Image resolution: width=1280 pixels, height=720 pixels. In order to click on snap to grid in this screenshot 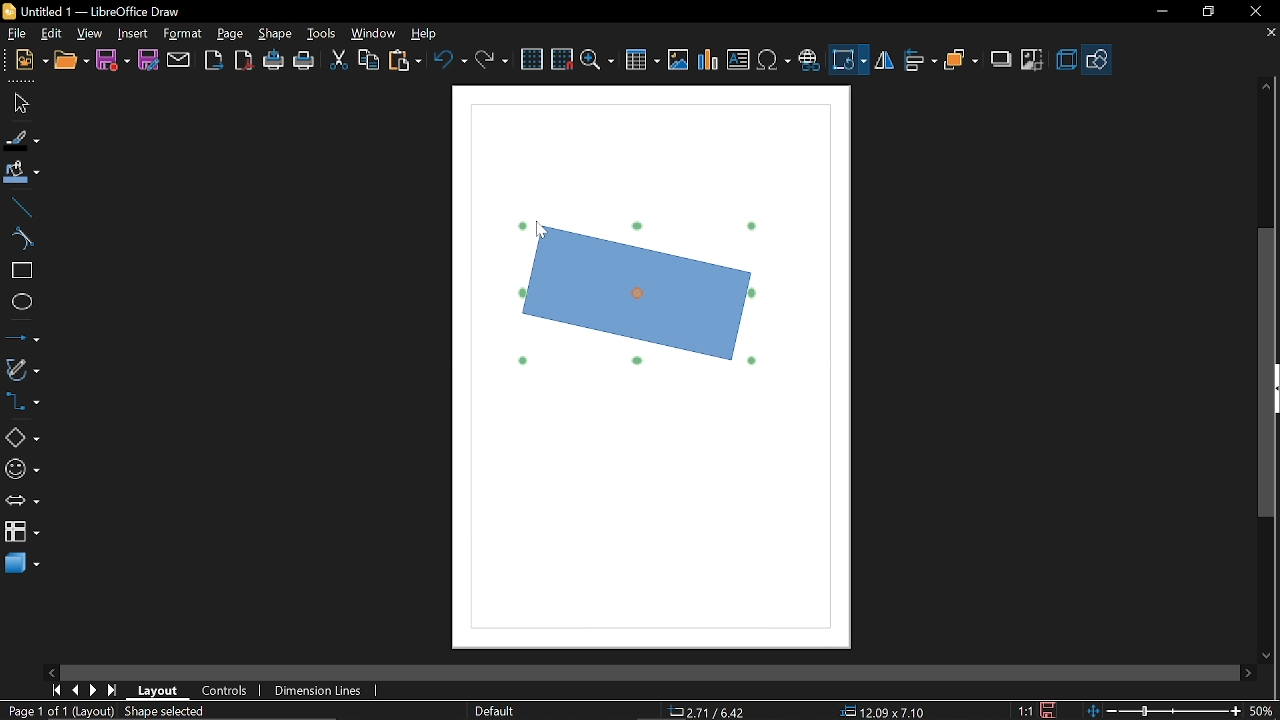, I will do `click(562, 59)`.